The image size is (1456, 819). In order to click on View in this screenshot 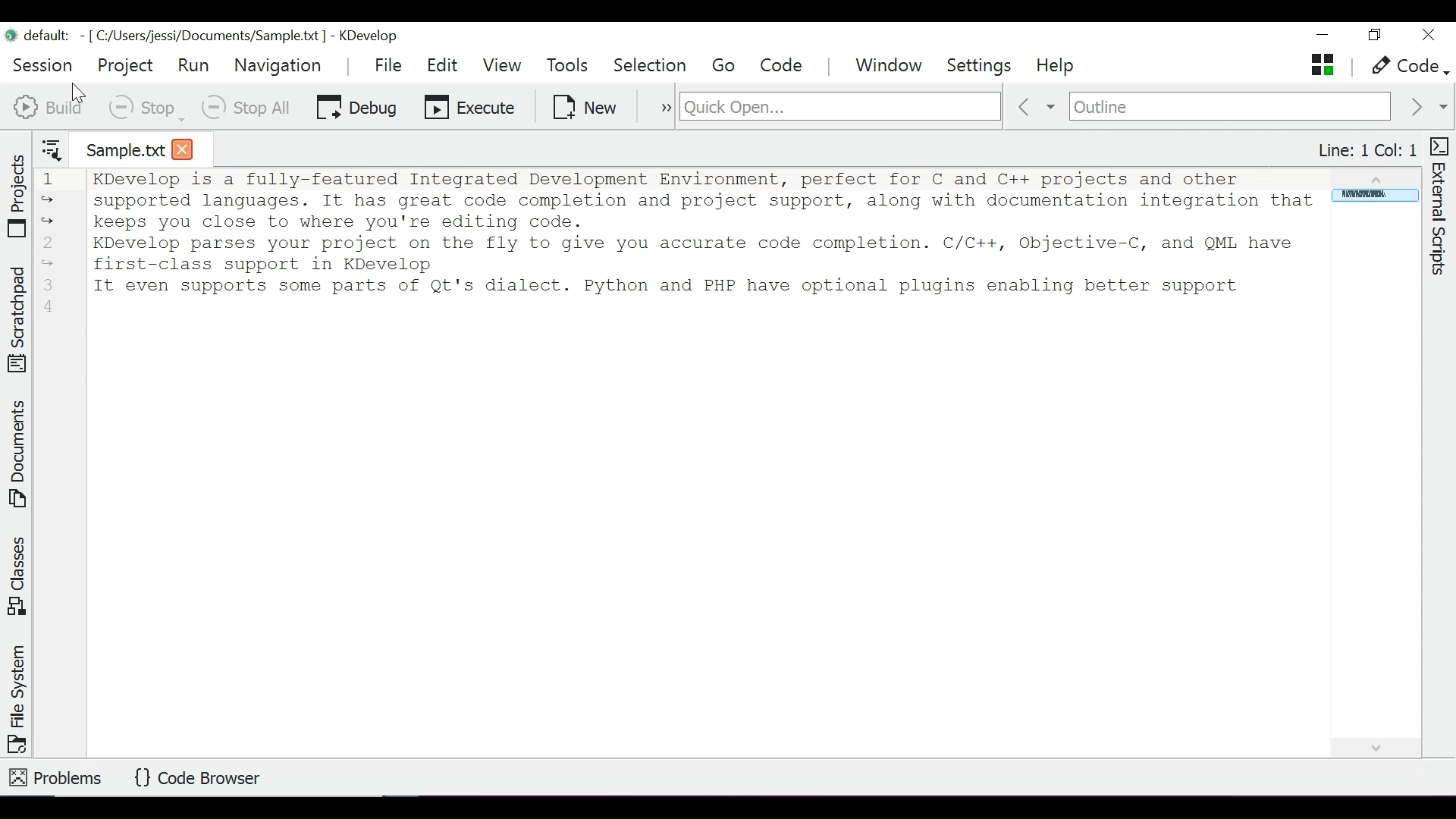, I will do `click(504, 66)`.